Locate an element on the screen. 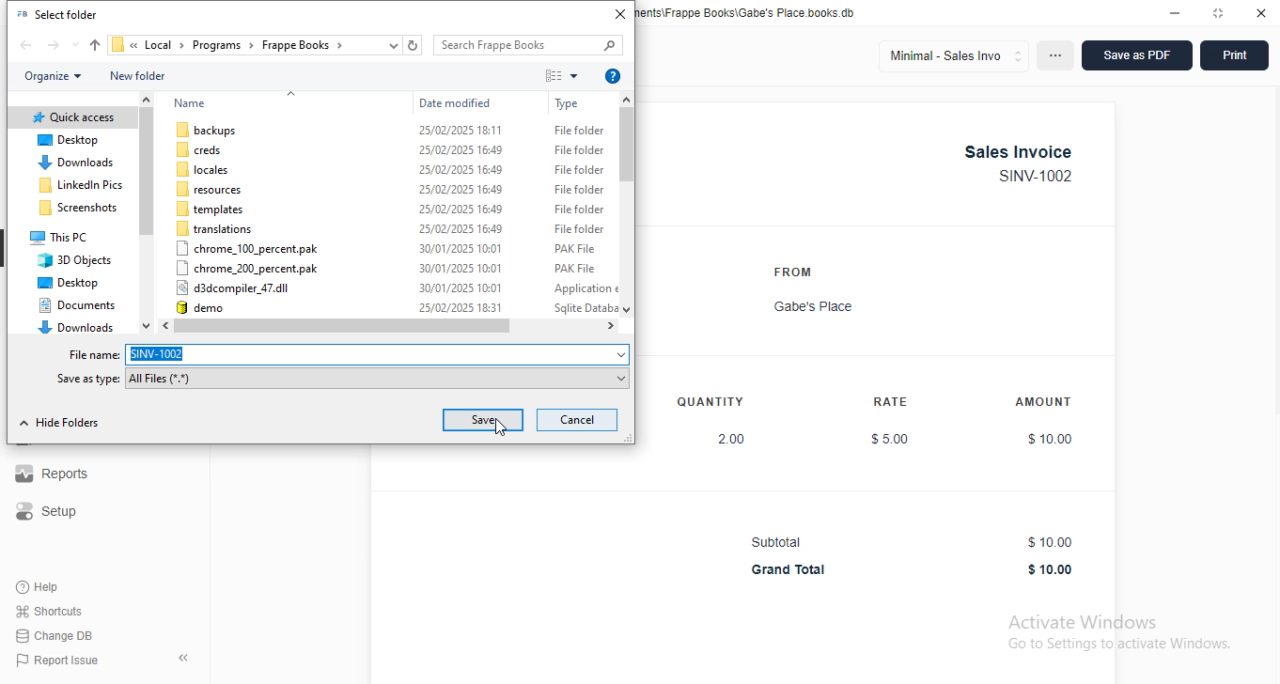 The image size is (1280, 684). translations is located at coordinates (213, 229).